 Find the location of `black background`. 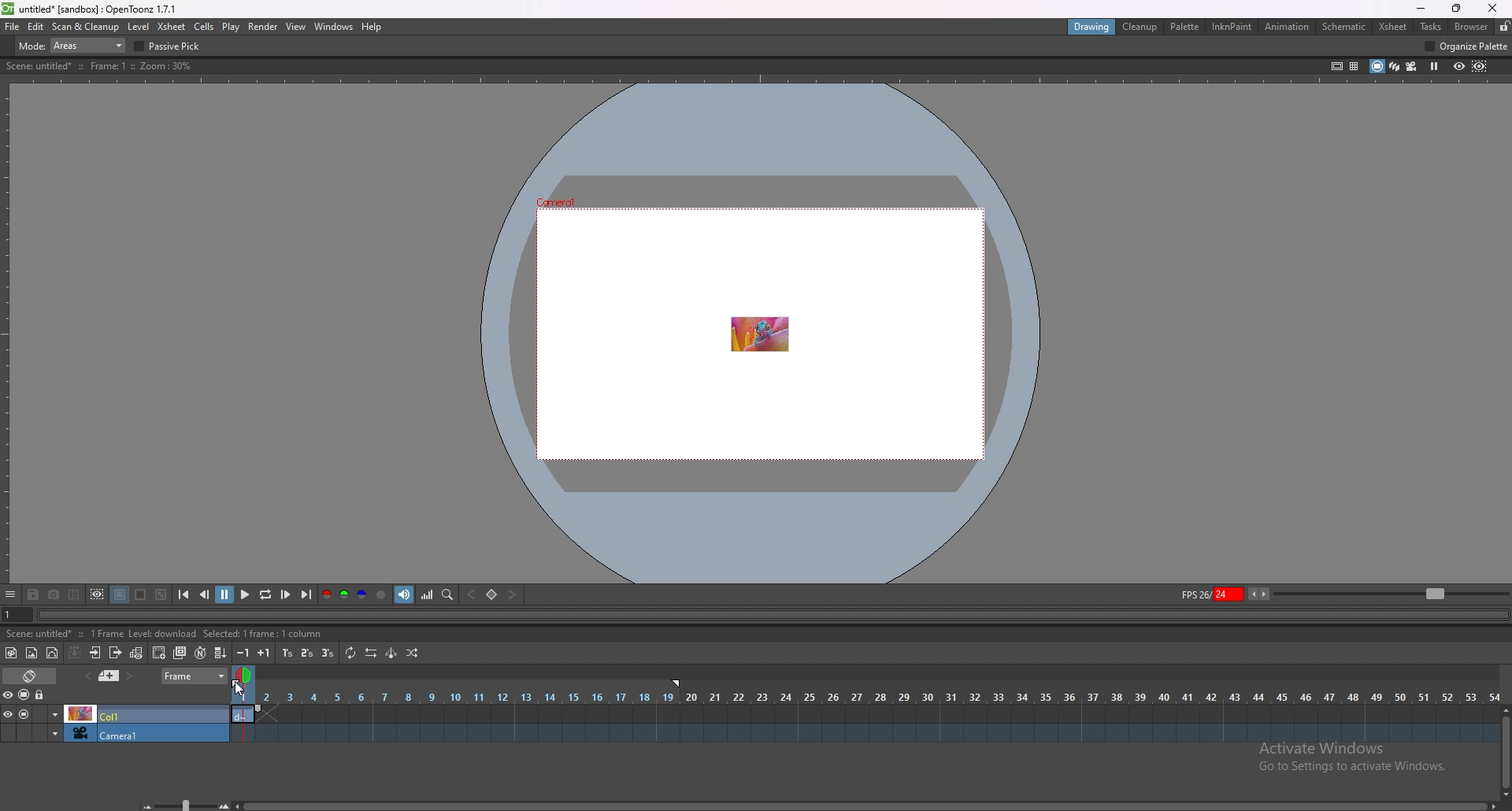

black background is located at coordinates (120, 595).